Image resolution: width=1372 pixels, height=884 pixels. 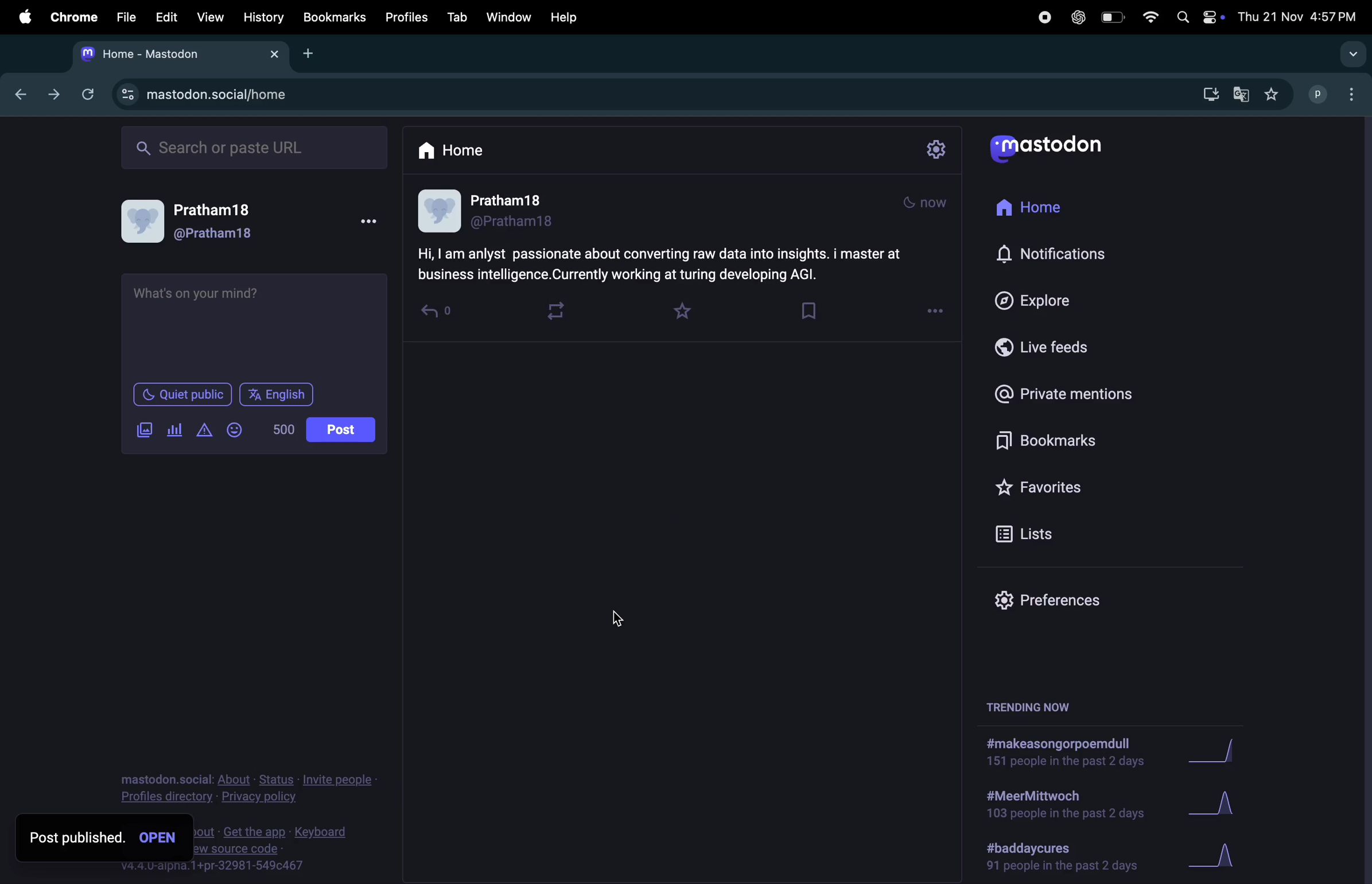 I want to click on cursor, so click(x=619, y=617).